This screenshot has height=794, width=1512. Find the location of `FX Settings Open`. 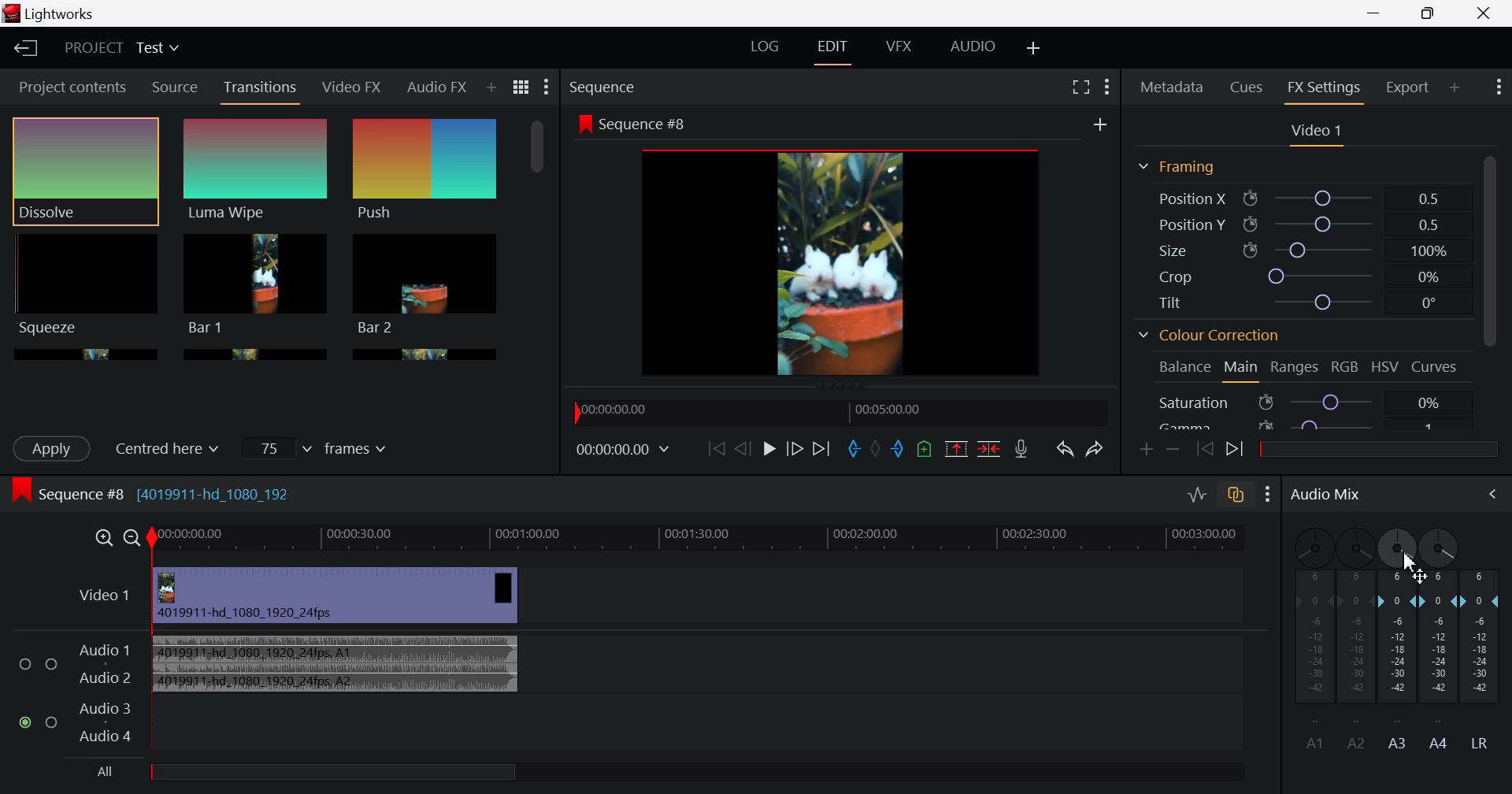

FX Settings Open is located at coordinates (1326, 90).